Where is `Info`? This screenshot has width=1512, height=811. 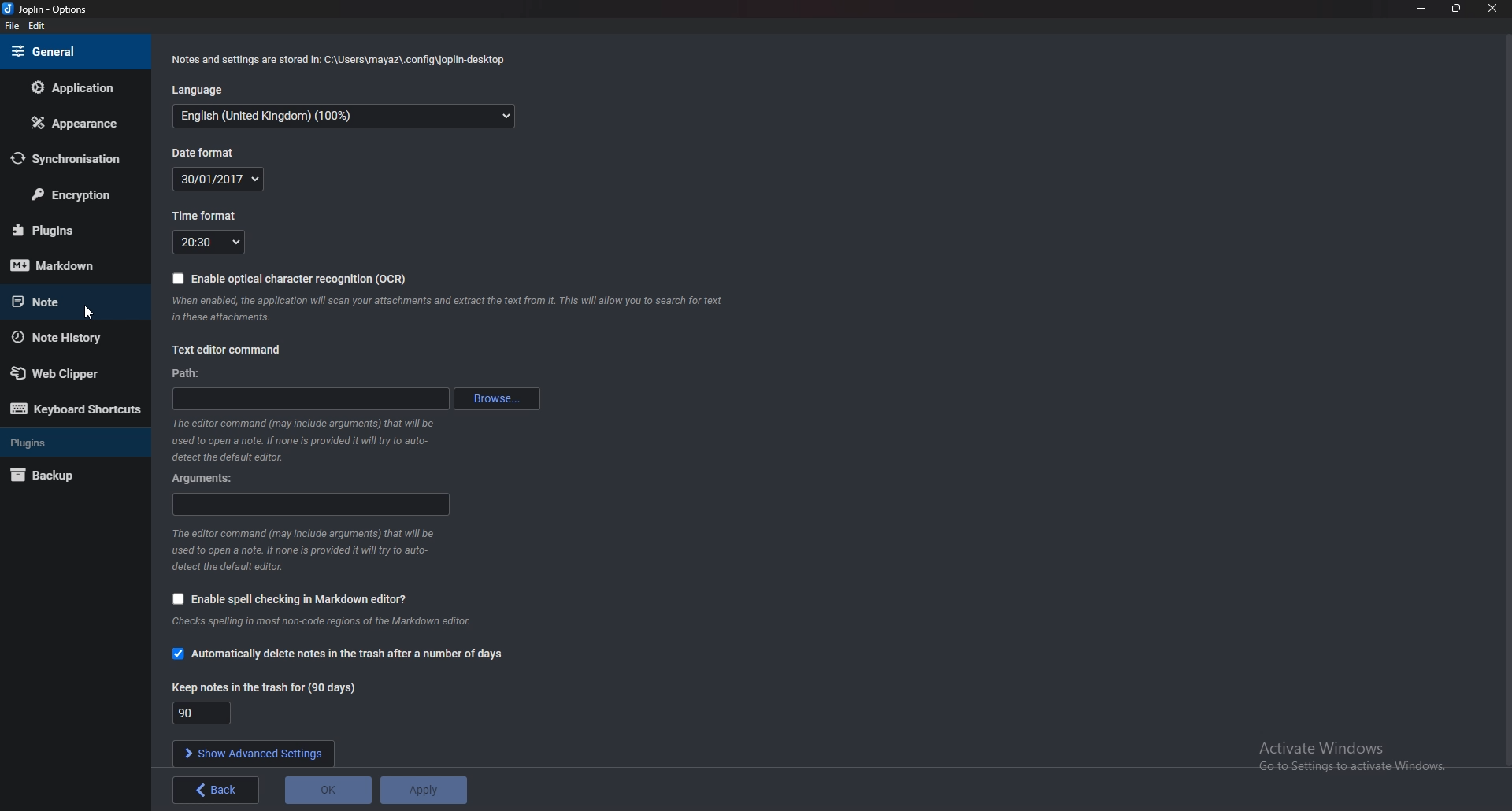
Info is located at coordinates (303, 442).